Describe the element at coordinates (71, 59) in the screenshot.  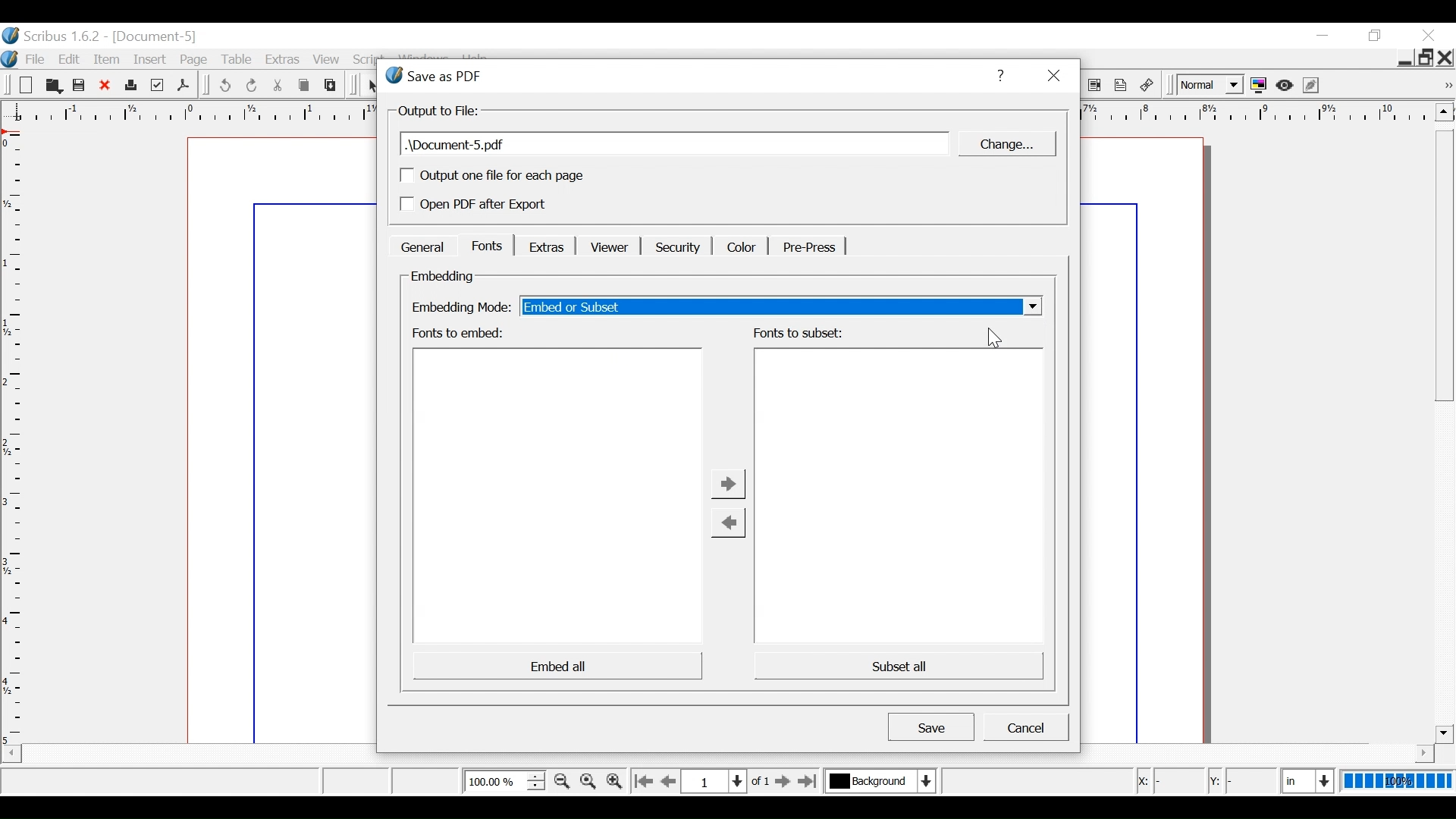
I see `Edit` at that location.